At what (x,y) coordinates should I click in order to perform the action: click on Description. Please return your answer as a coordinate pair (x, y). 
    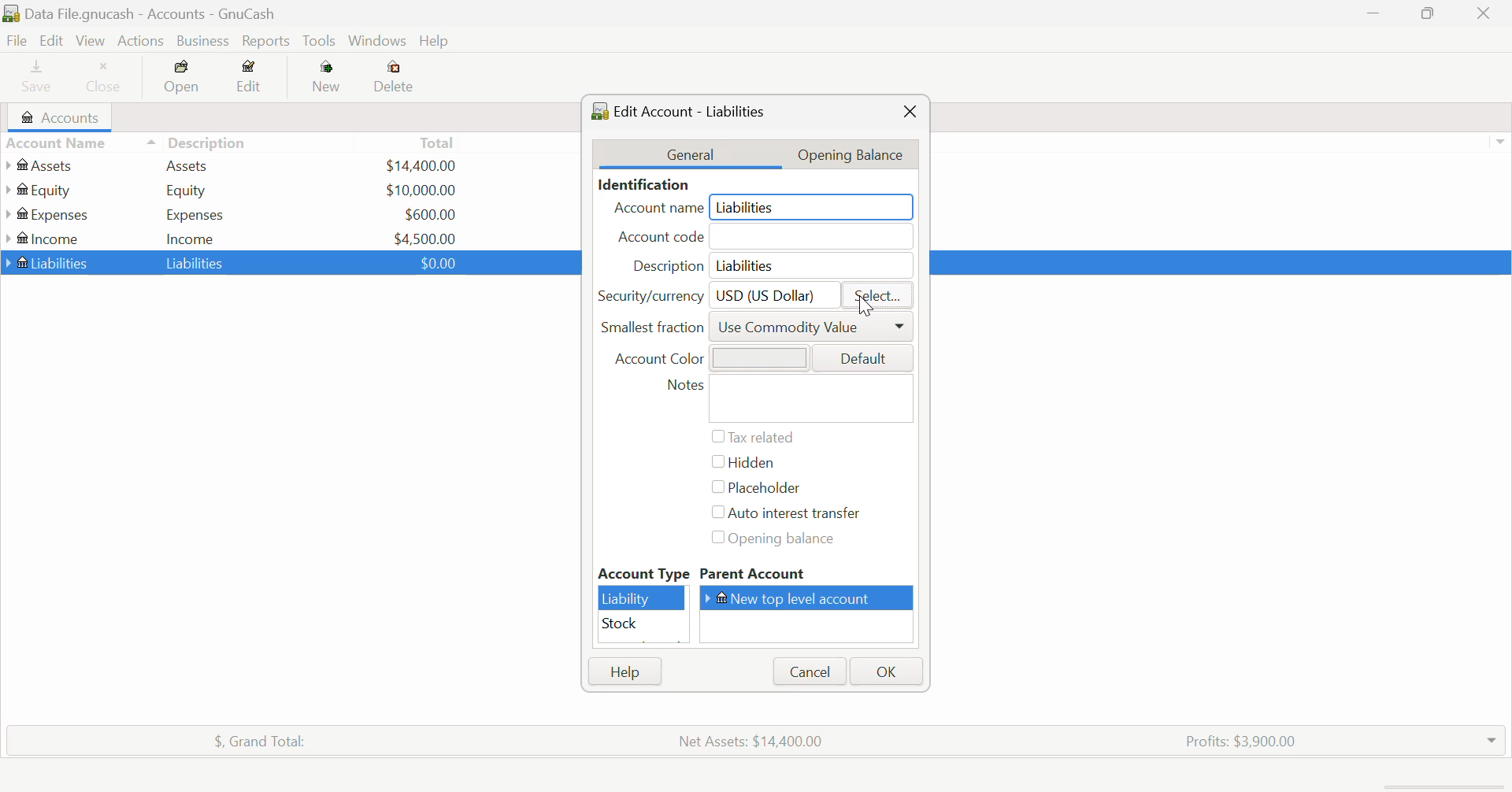
    Looking at the image, I should click on (197, 141).